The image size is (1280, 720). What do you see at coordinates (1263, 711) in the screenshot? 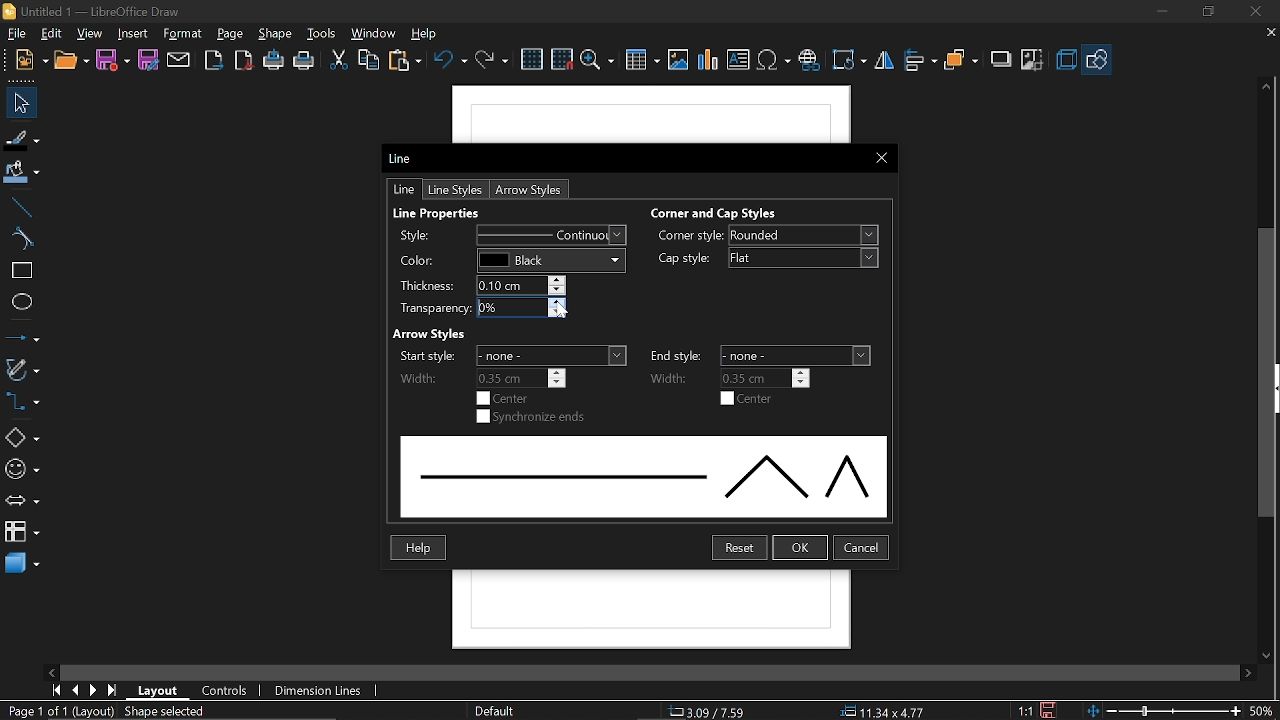
I see `current zoom (50%)` at bounding box center [1263, 711].